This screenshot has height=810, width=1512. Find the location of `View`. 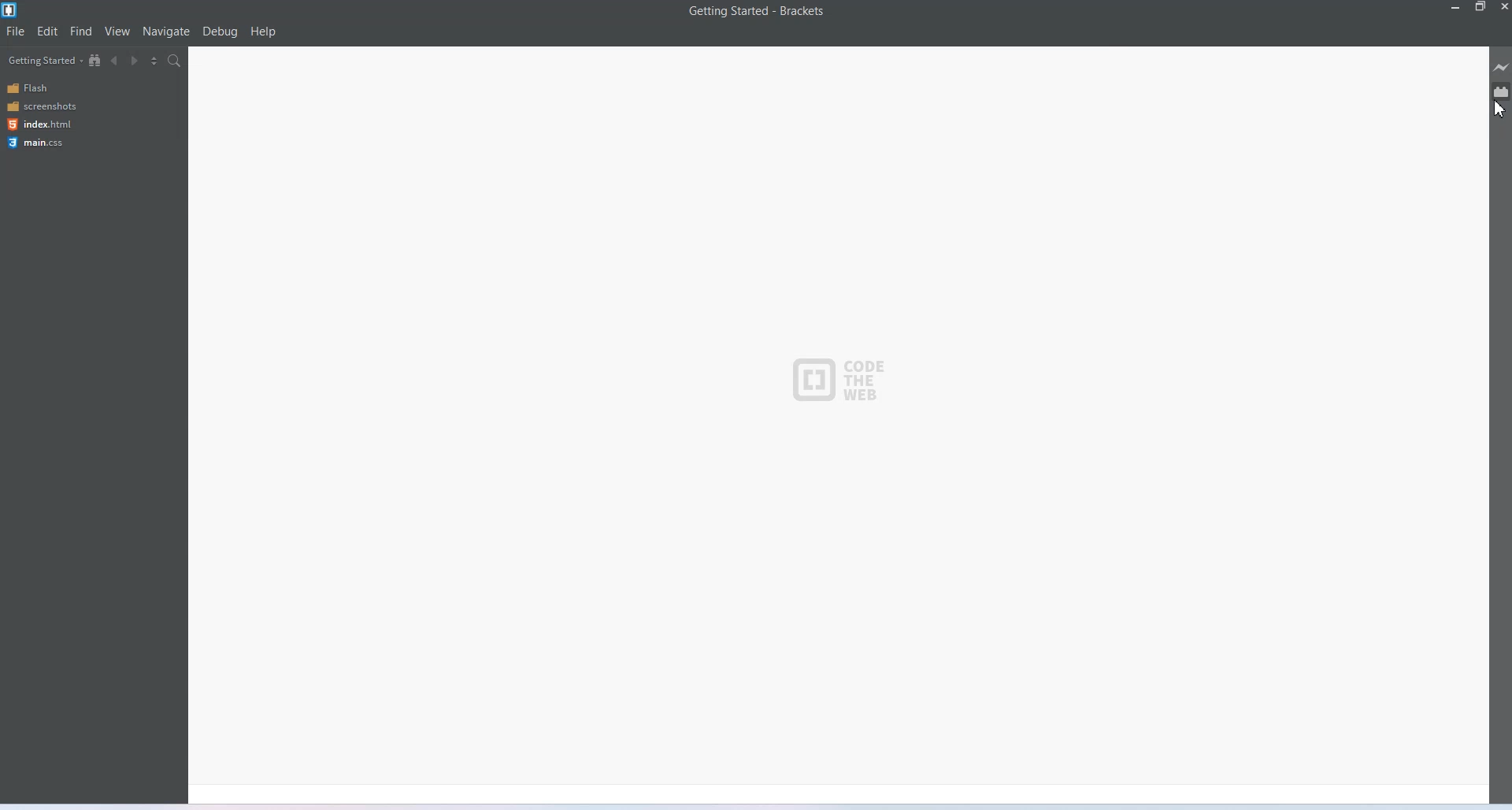

View is located at coordinates (118, 32).